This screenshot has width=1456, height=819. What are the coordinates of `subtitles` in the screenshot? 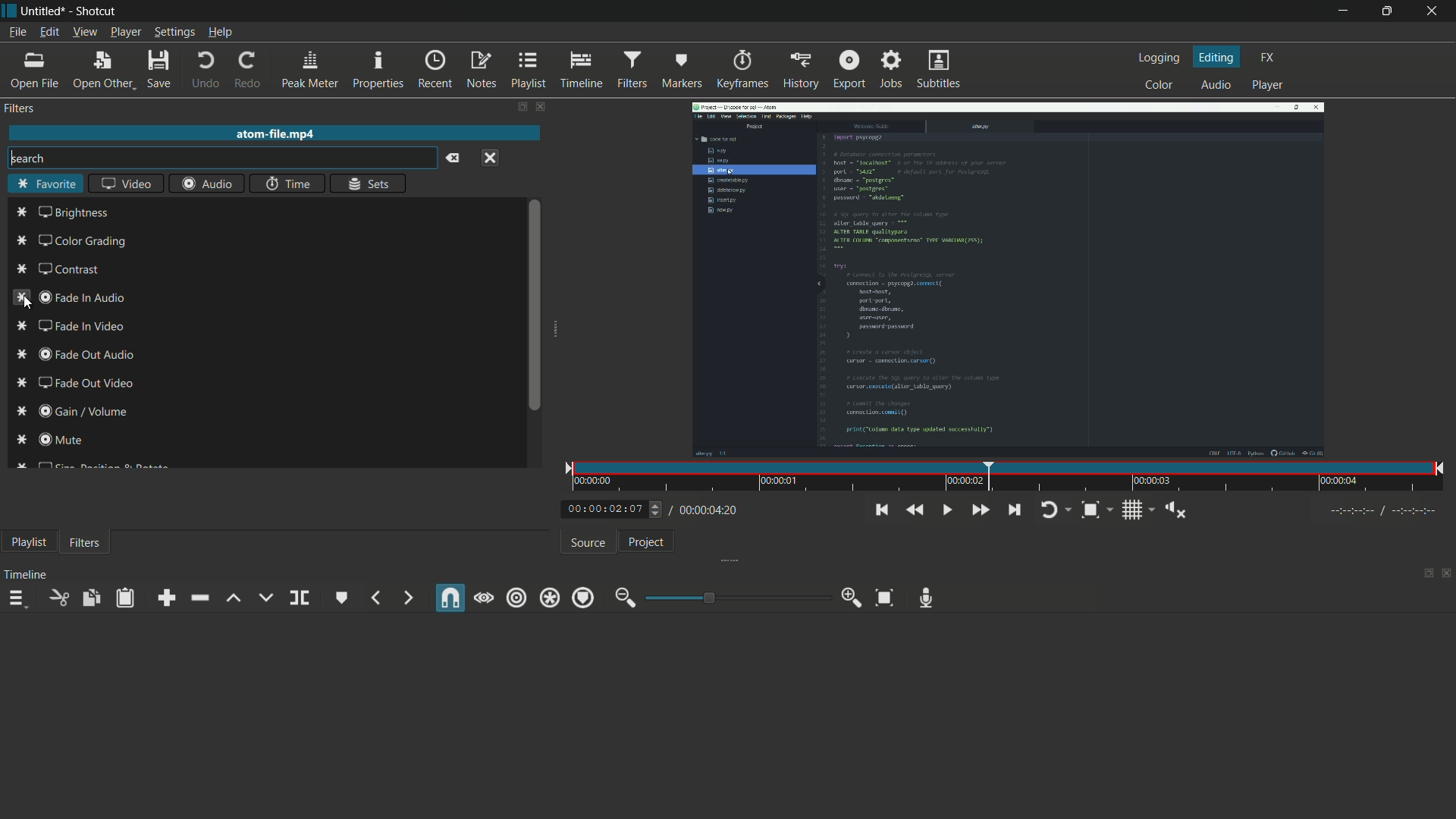 It's located at (940, 70).